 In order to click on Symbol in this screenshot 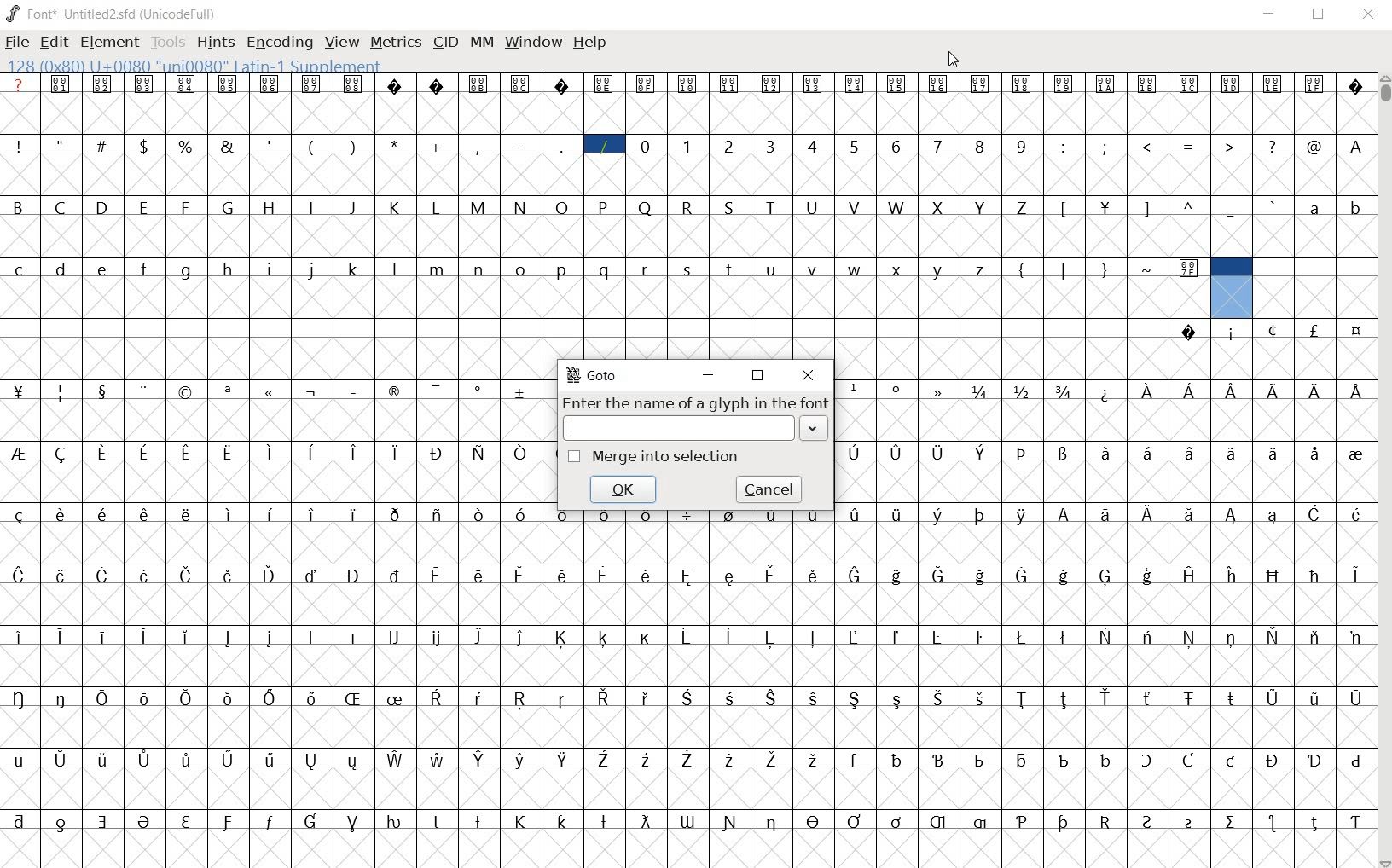, I will do `click(357, 697)`.